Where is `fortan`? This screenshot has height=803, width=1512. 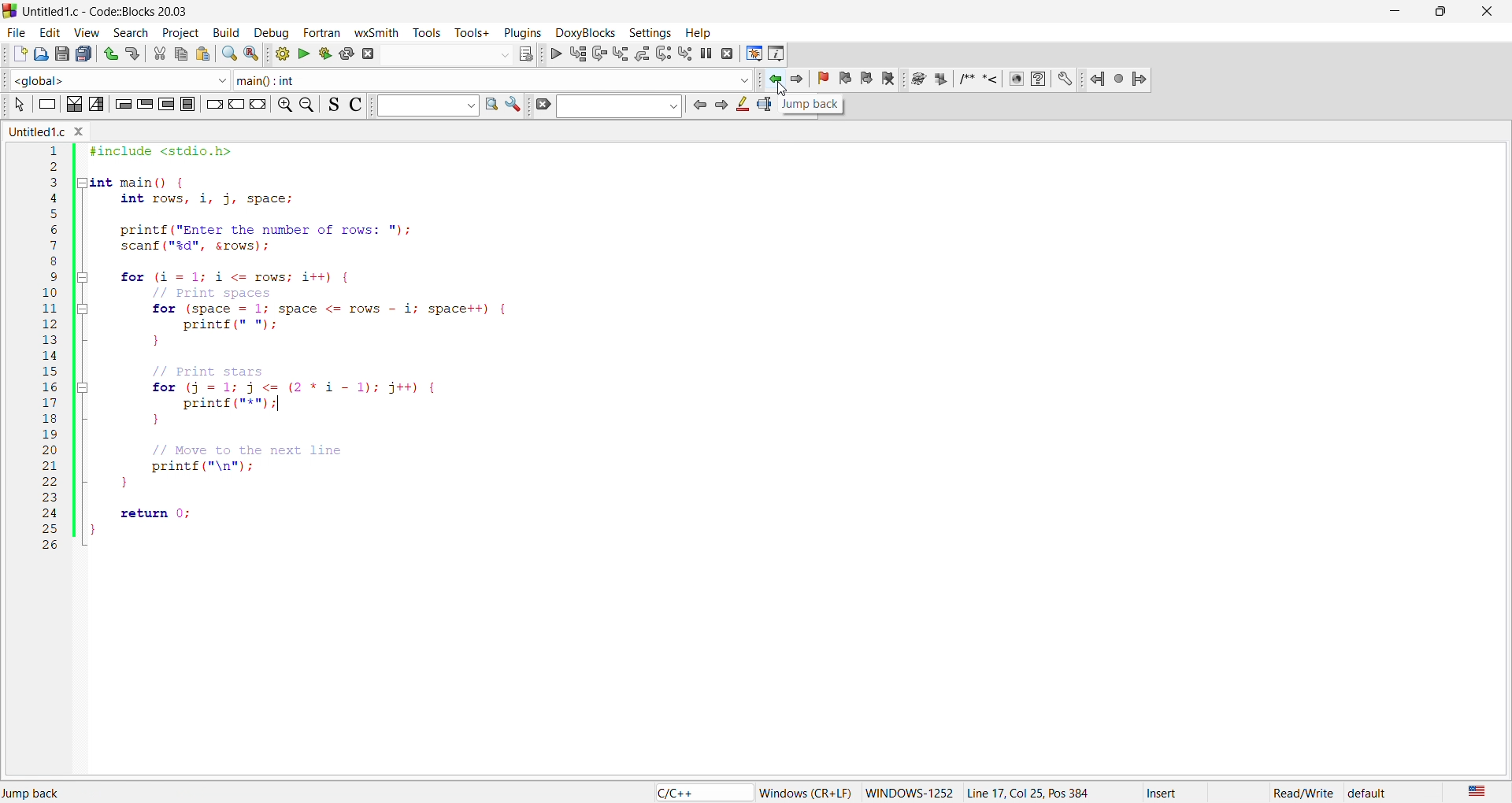 fortan is located at coordinates (320, 31).